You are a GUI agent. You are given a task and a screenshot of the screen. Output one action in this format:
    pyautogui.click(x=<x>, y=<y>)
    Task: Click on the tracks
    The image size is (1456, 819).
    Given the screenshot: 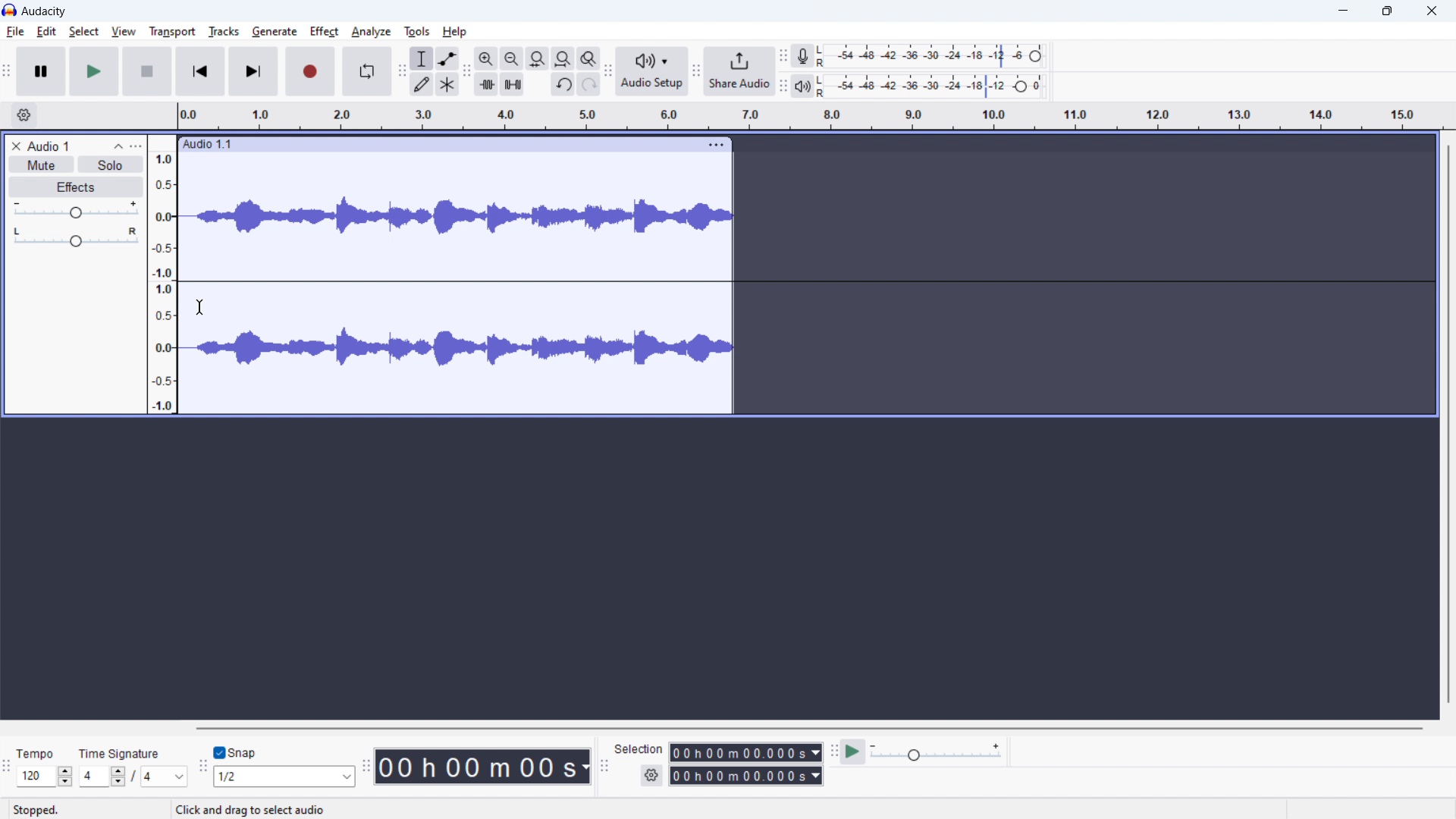 What is the action you would take?
    pyautogui.click(x=222, y=31)
    